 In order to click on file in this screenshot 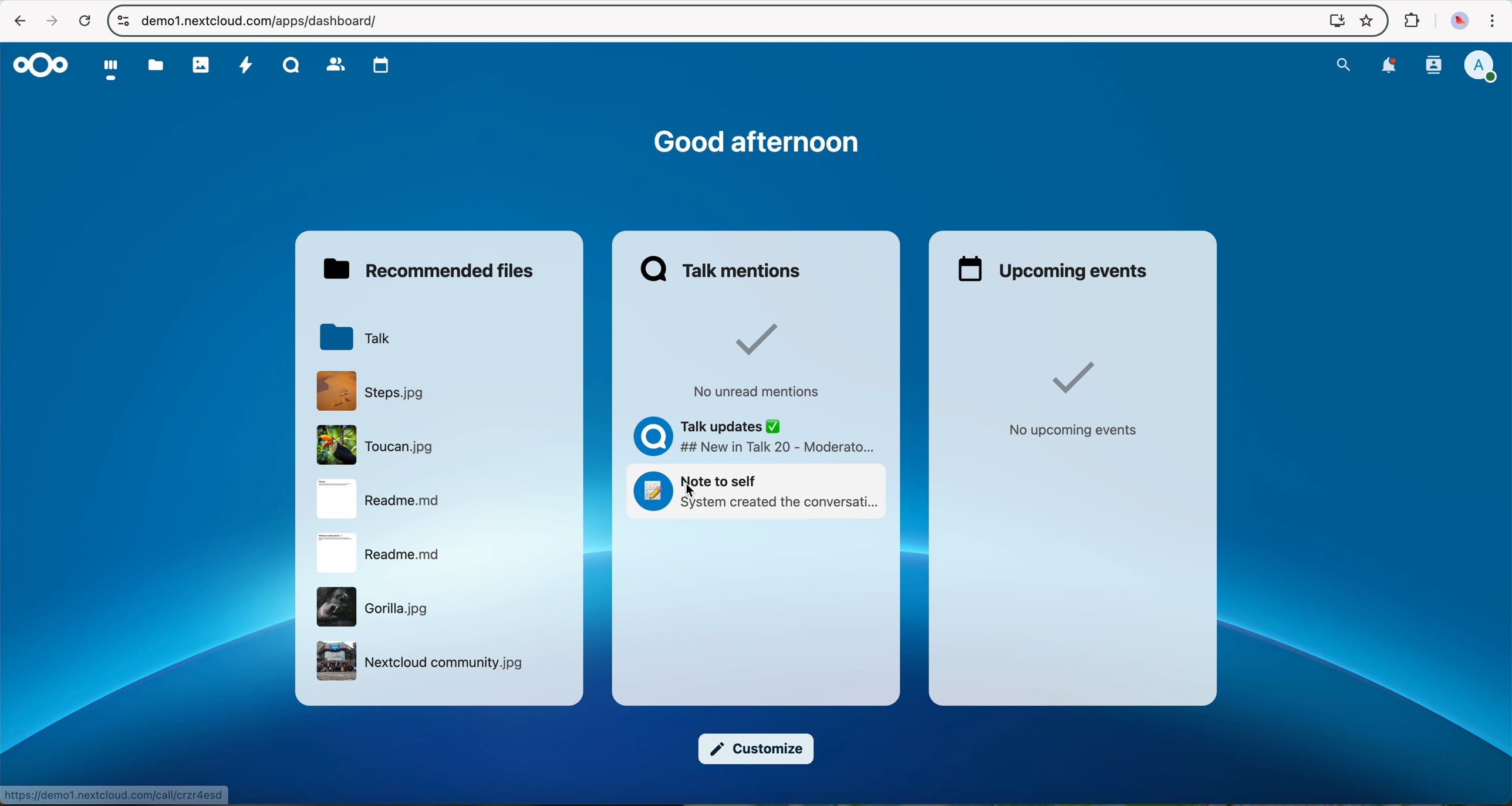, I will do `click(379, 445)`.